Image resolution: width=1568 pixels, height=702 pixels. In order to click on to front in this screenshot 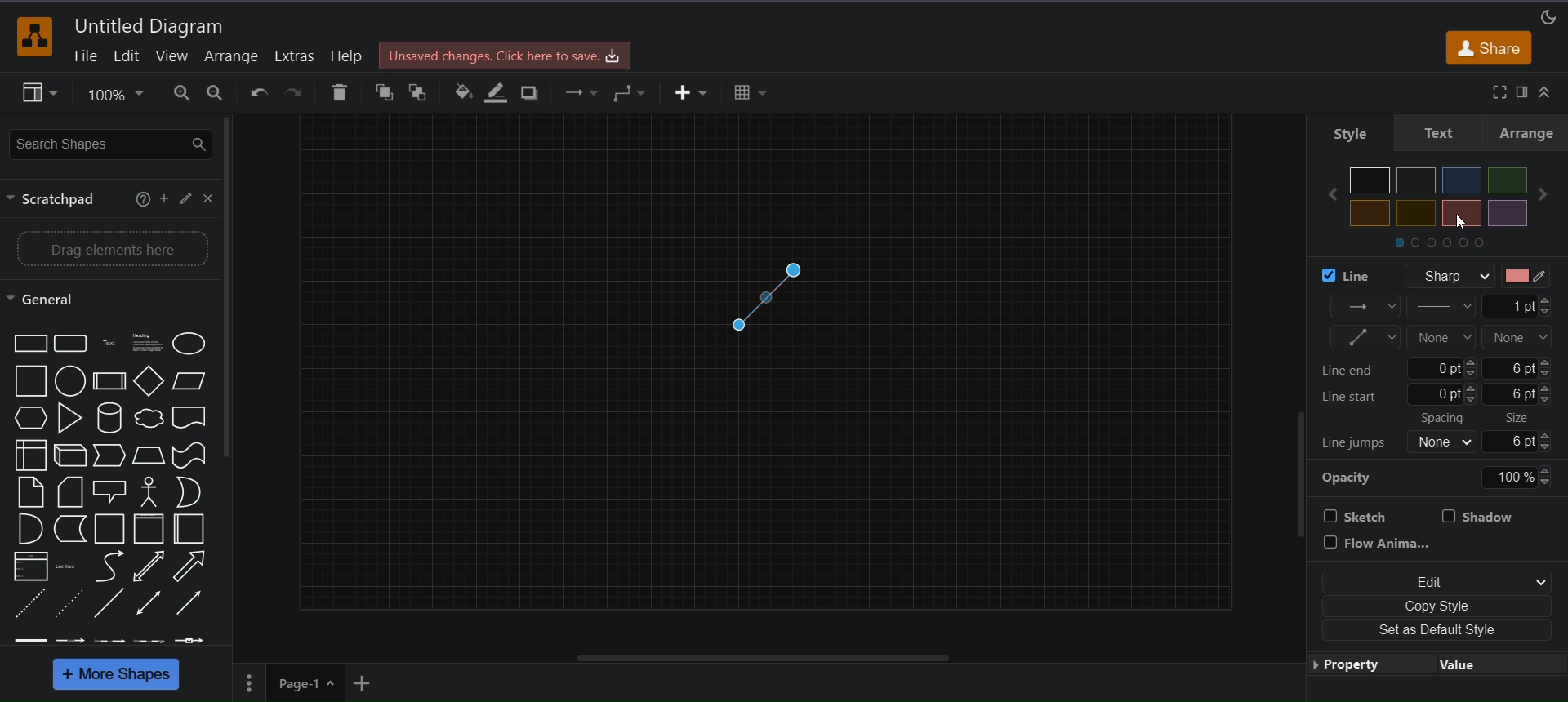, I will do `click(384, 92)`.